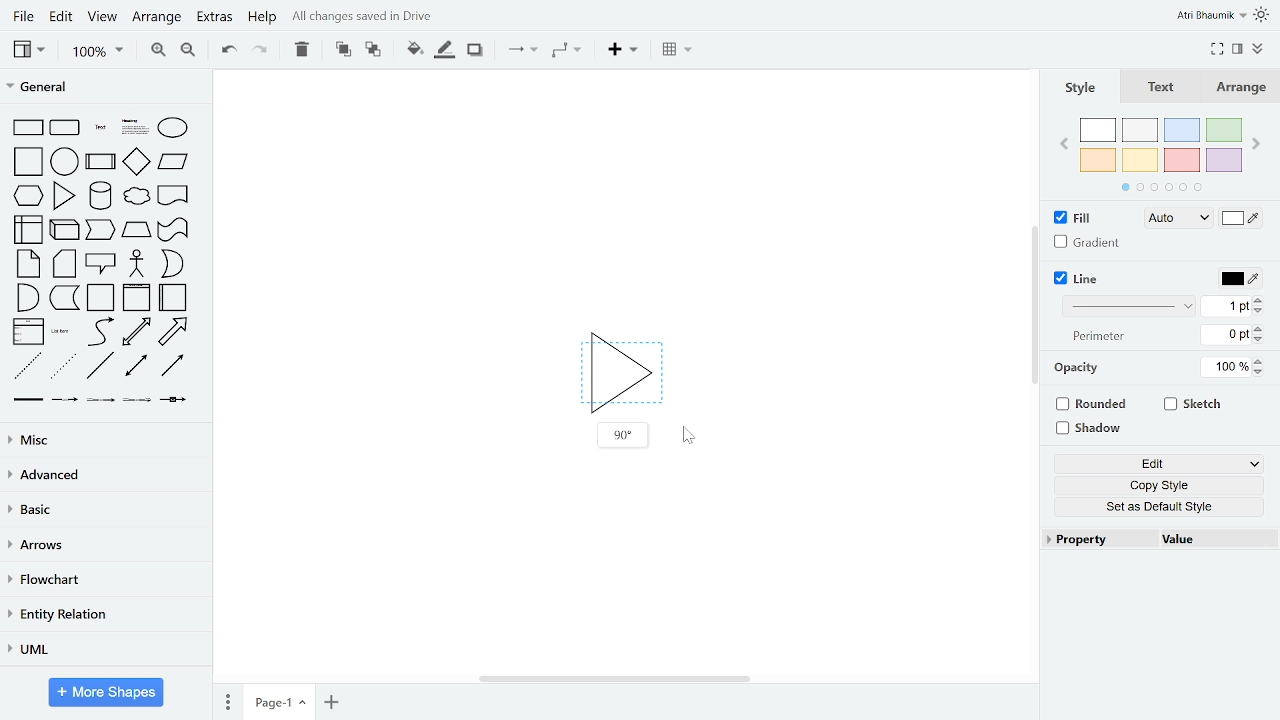  Describe the element at coordinates (26, 298) in the screenshot. I see `and` at that location.